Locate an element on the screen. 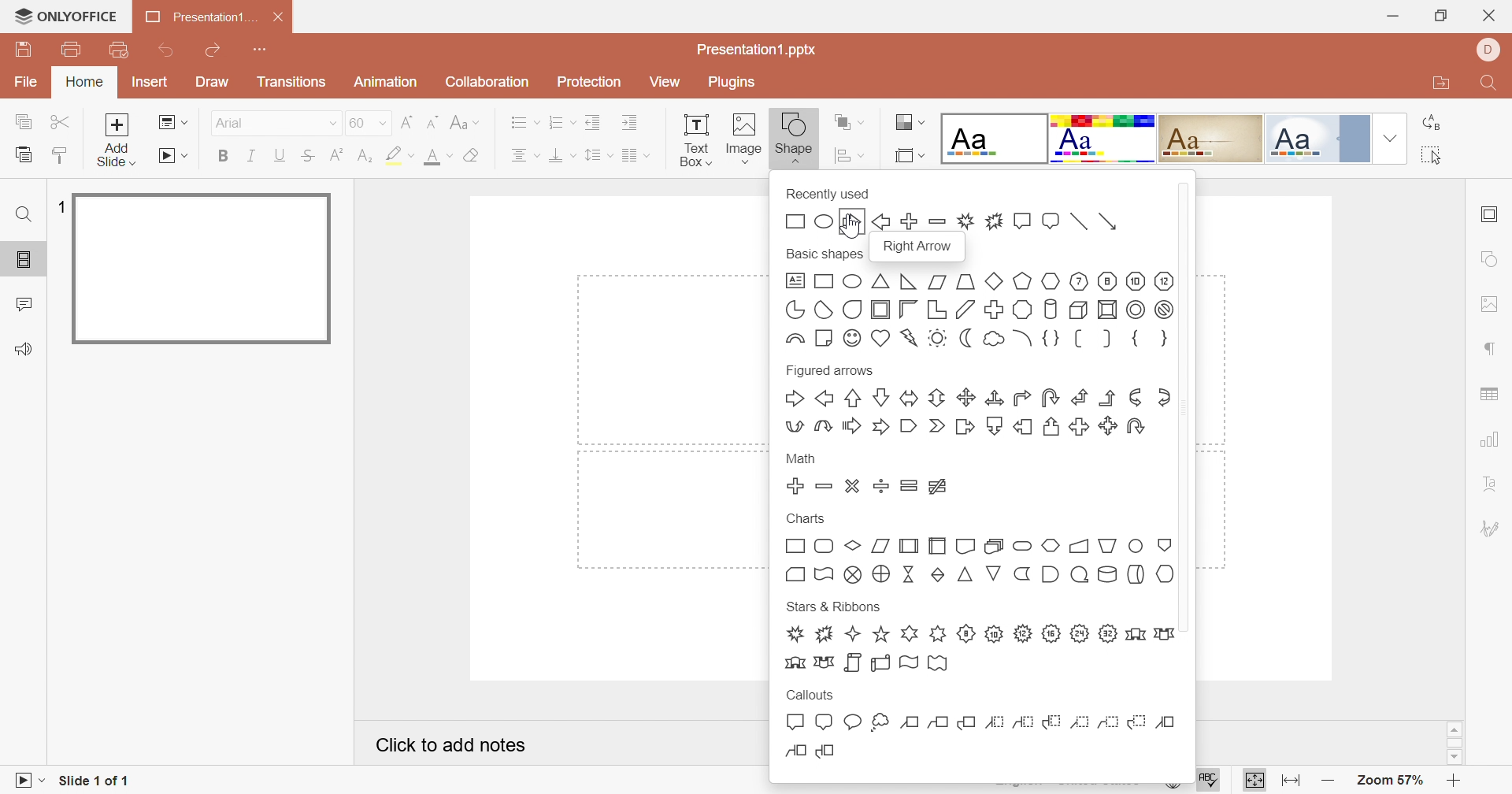  Presentation1... is located at coordinates (202, 17).